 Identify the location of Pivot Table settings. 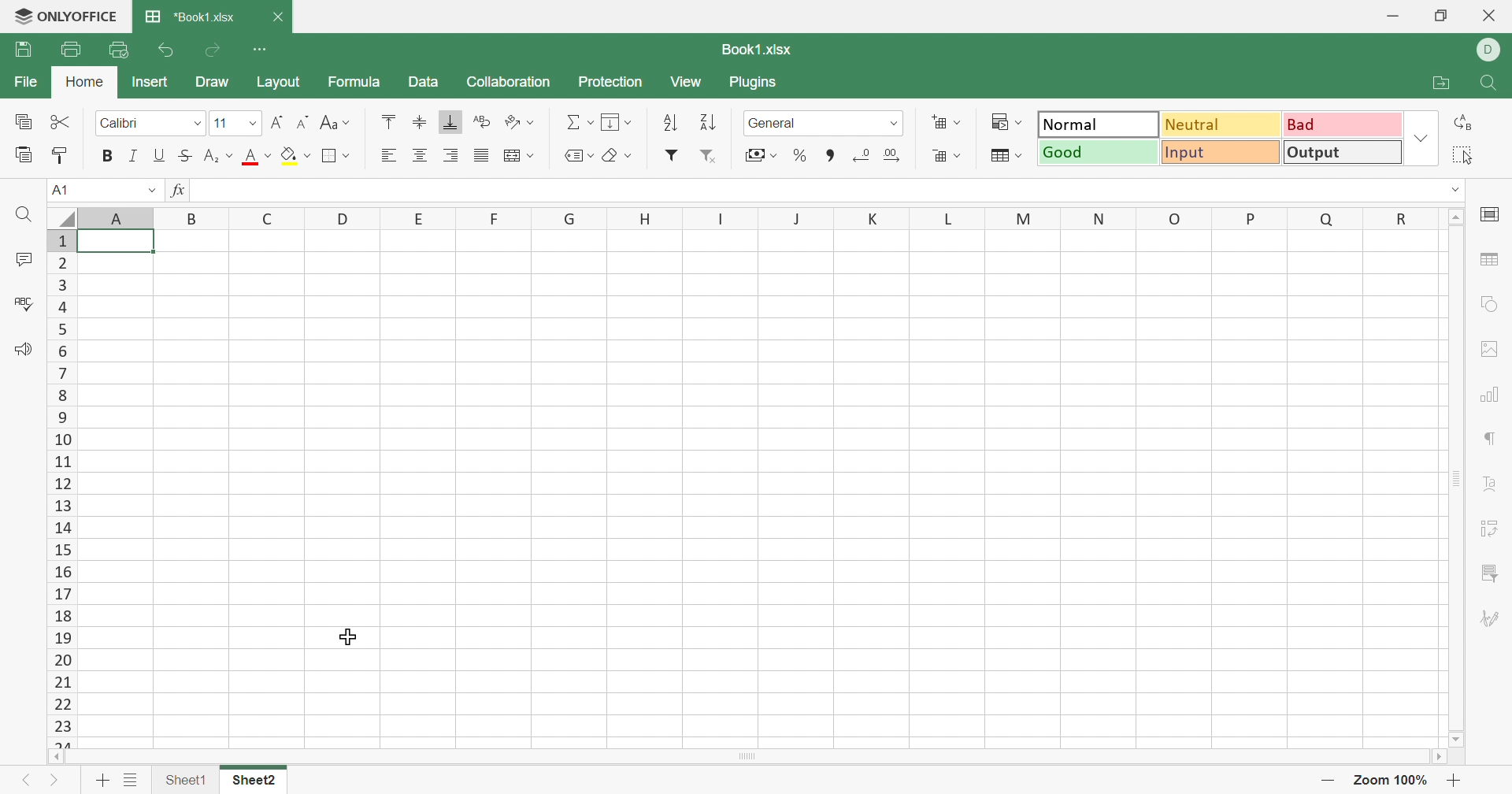
(1487, 530).